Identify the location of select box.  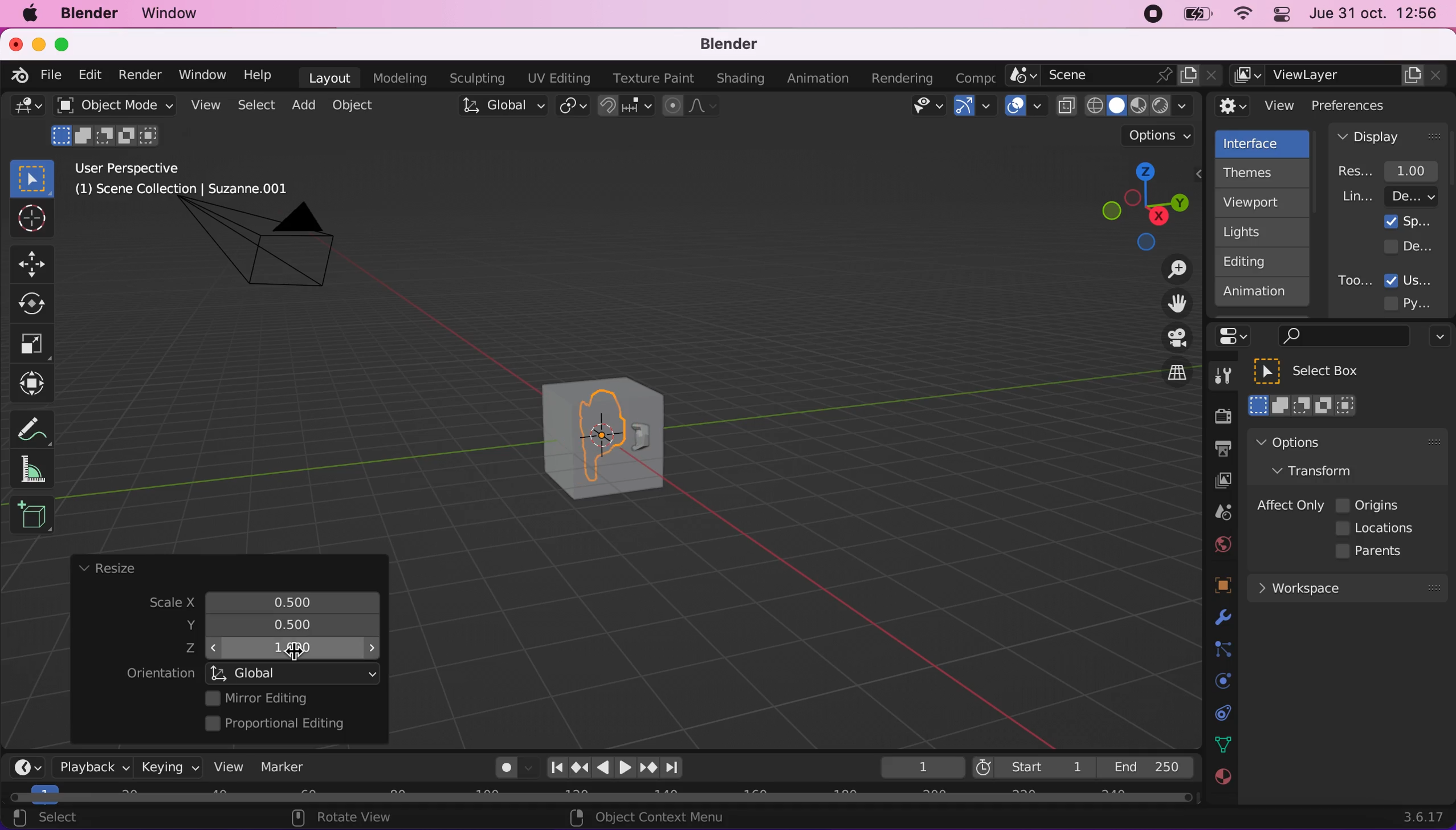
(32, 178).